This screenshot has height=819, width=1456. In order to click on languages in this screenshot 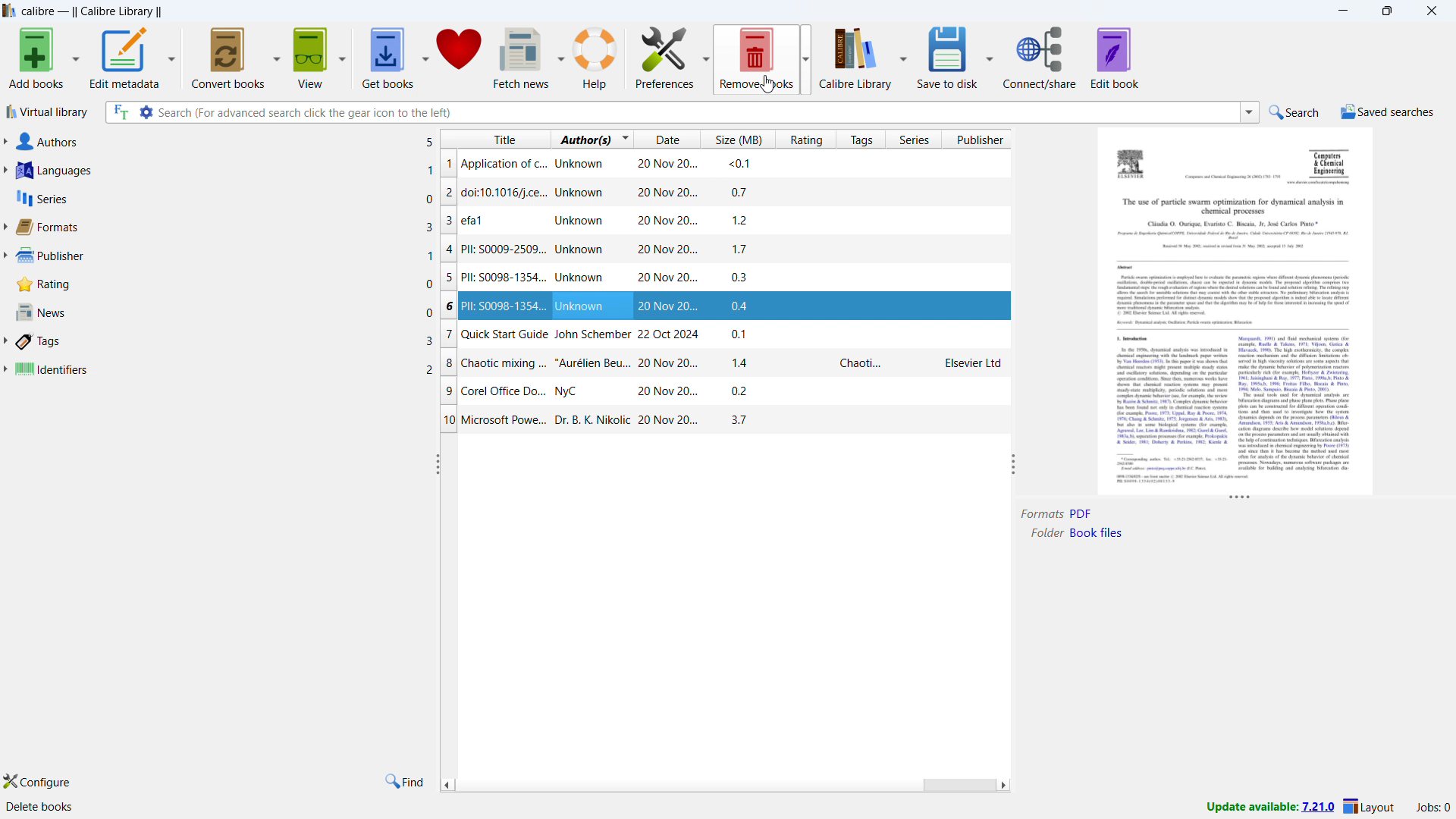, I will do `click(219, 170)`.